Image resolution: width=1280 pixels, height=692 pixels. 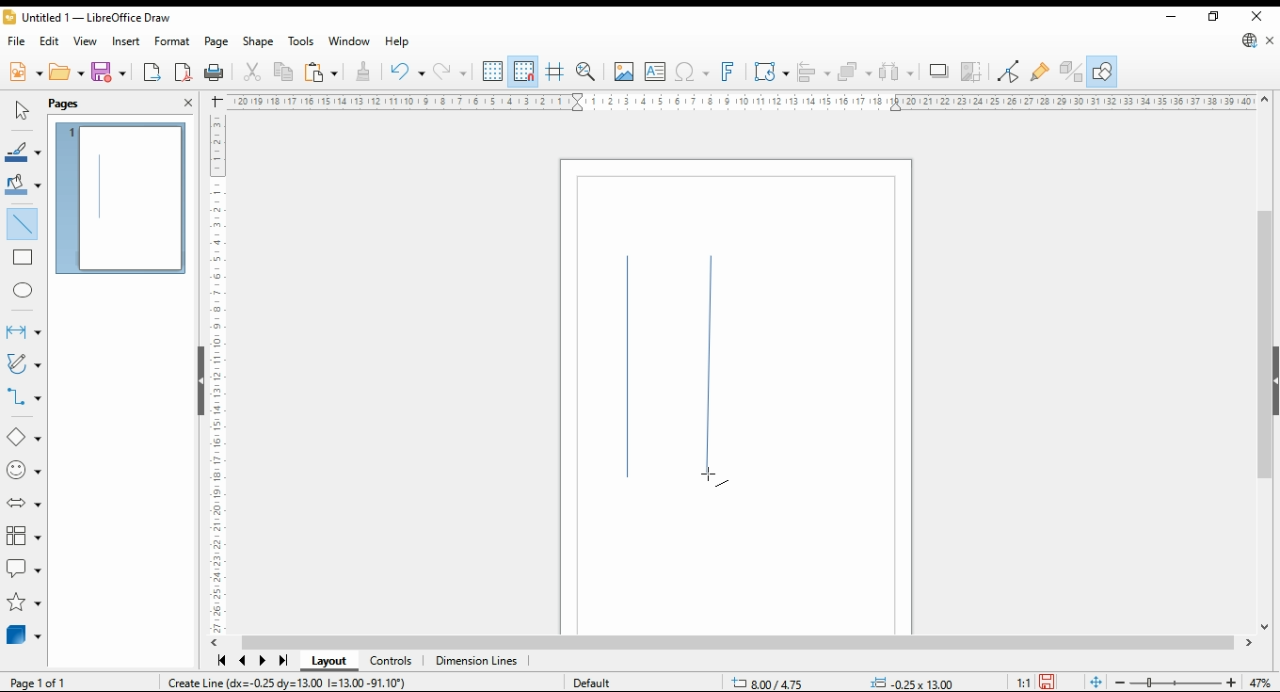 What do you see at coordinates (1176, 683) in the screenshot?
I see `zoom slider` at bounding box center [1176, 683].